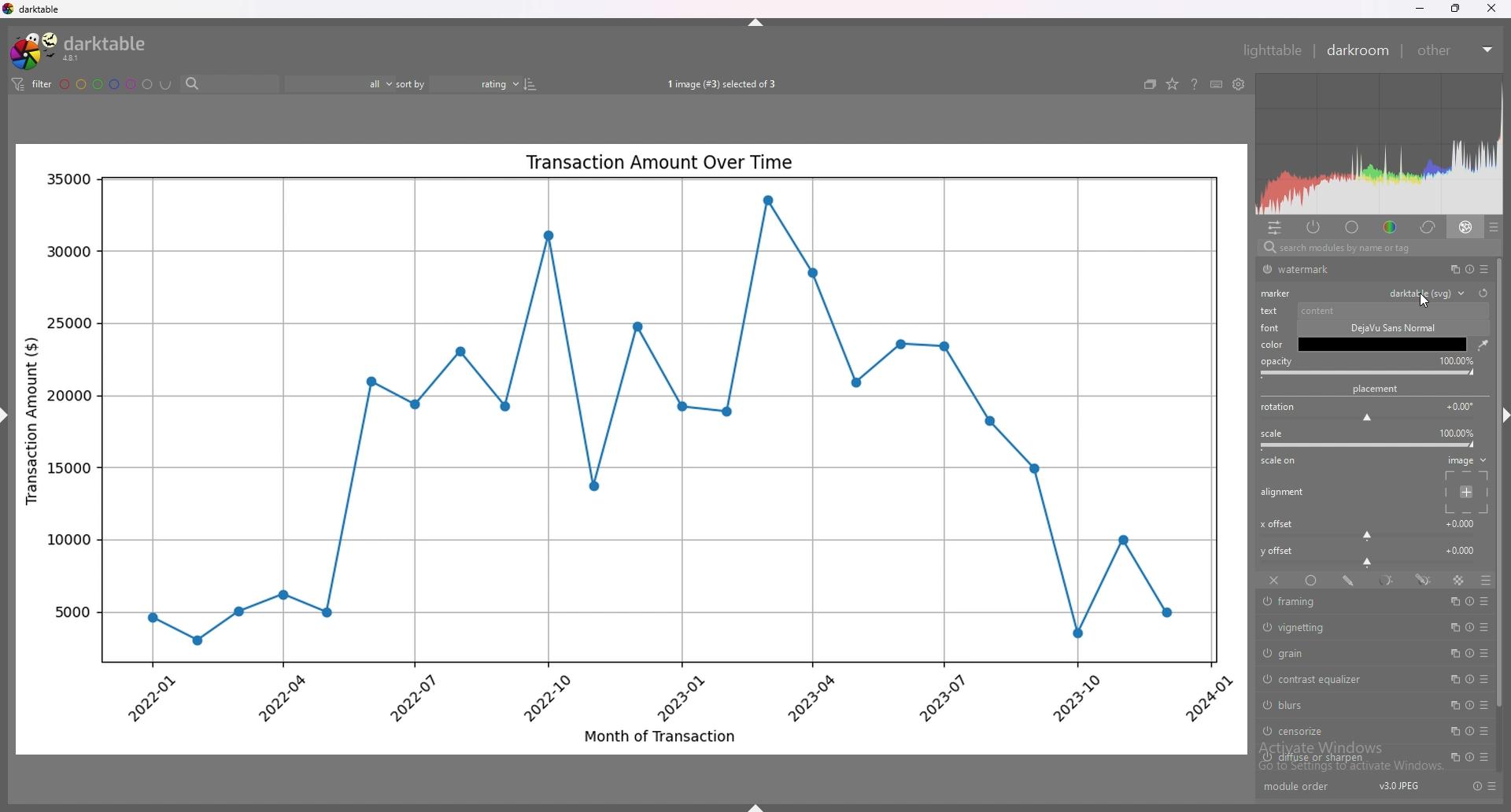  What do you see at coordinates (1345, 758) in the screenshot?
I see `diffuse or sharpen` at bounding box center [1345, 758].